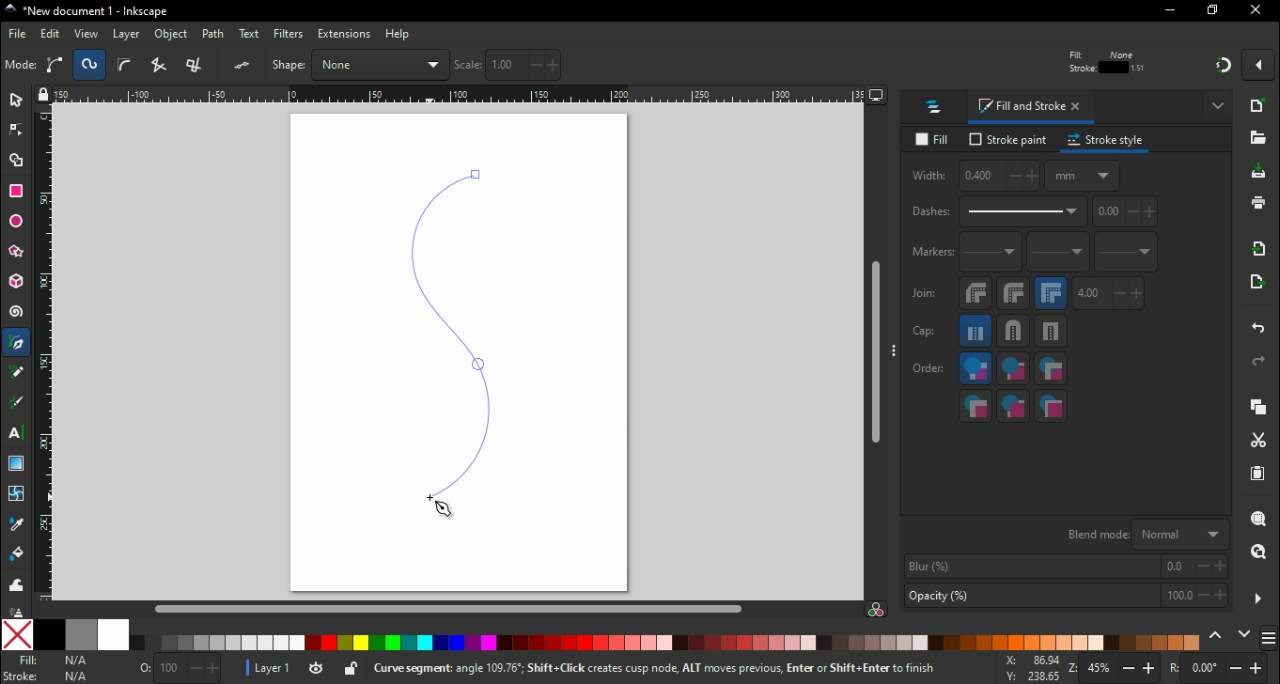  Describe the element at coordinates (448, 608) in the screenshot. I see `scroll bar` at that location.